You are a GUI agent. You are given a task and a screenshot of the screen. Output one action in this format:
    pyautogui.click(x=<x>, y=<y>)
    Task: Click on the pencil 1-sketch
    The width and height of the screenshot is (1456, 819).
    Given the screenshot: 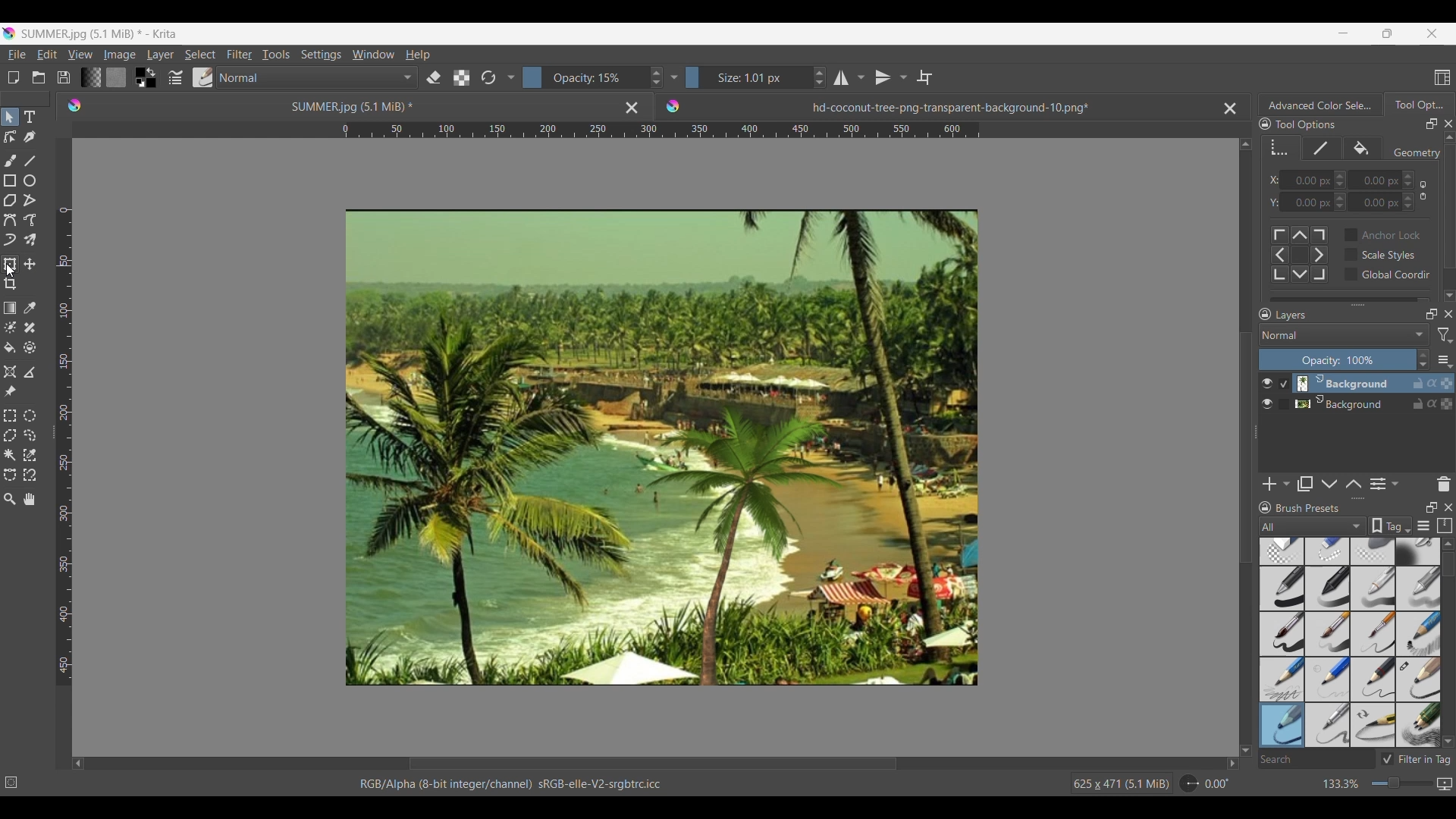 What is the action you would take?
    pyautogui.click(x=1419, y=634)
    